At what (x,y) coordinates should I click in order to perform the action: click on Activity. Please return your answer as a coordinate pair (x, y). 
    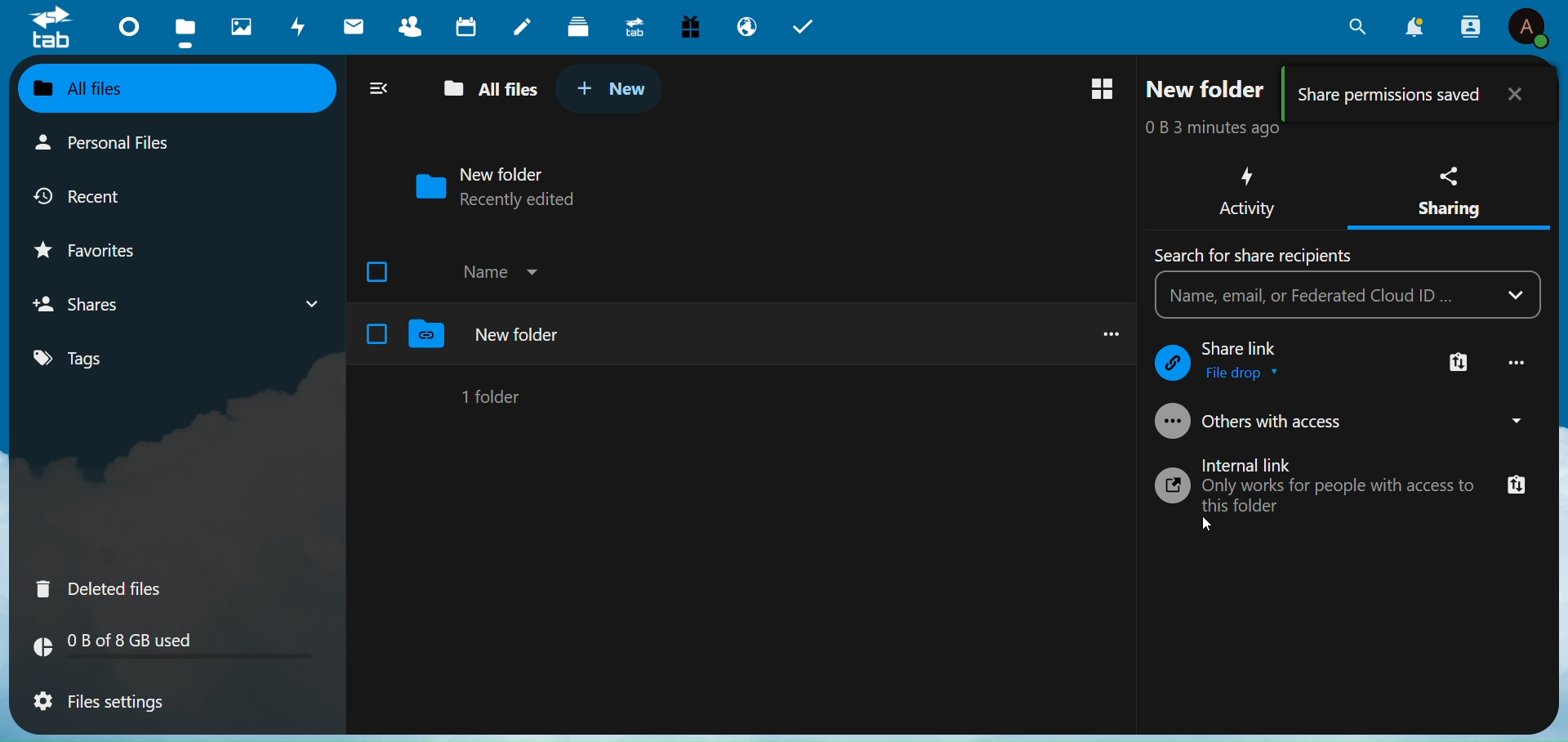
    Looking at the image, I should click on (295, 27).